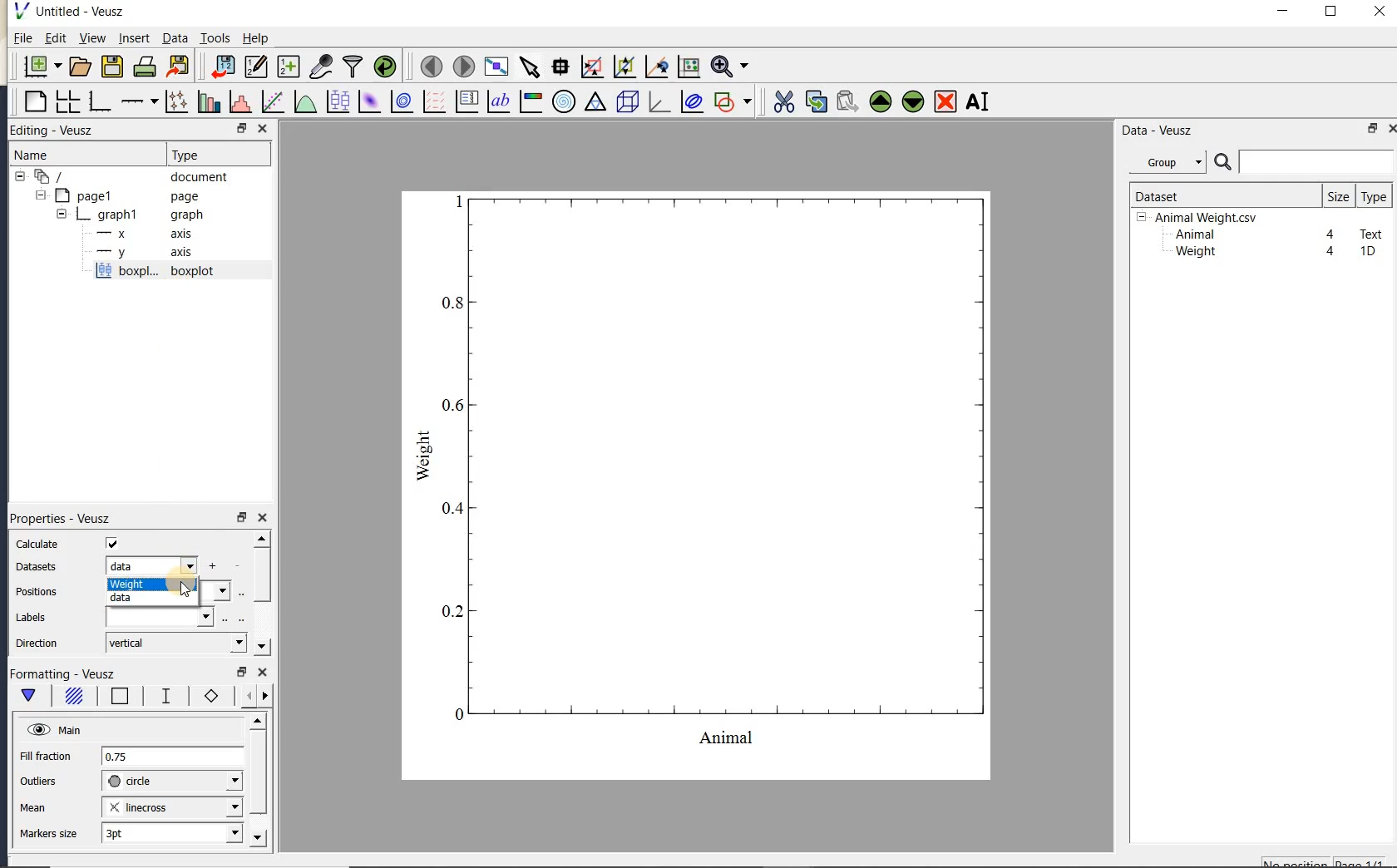 Image resolution: width=1397 pixels, height=868 pixels. I want to click on CLOSE, so click(262, 128).